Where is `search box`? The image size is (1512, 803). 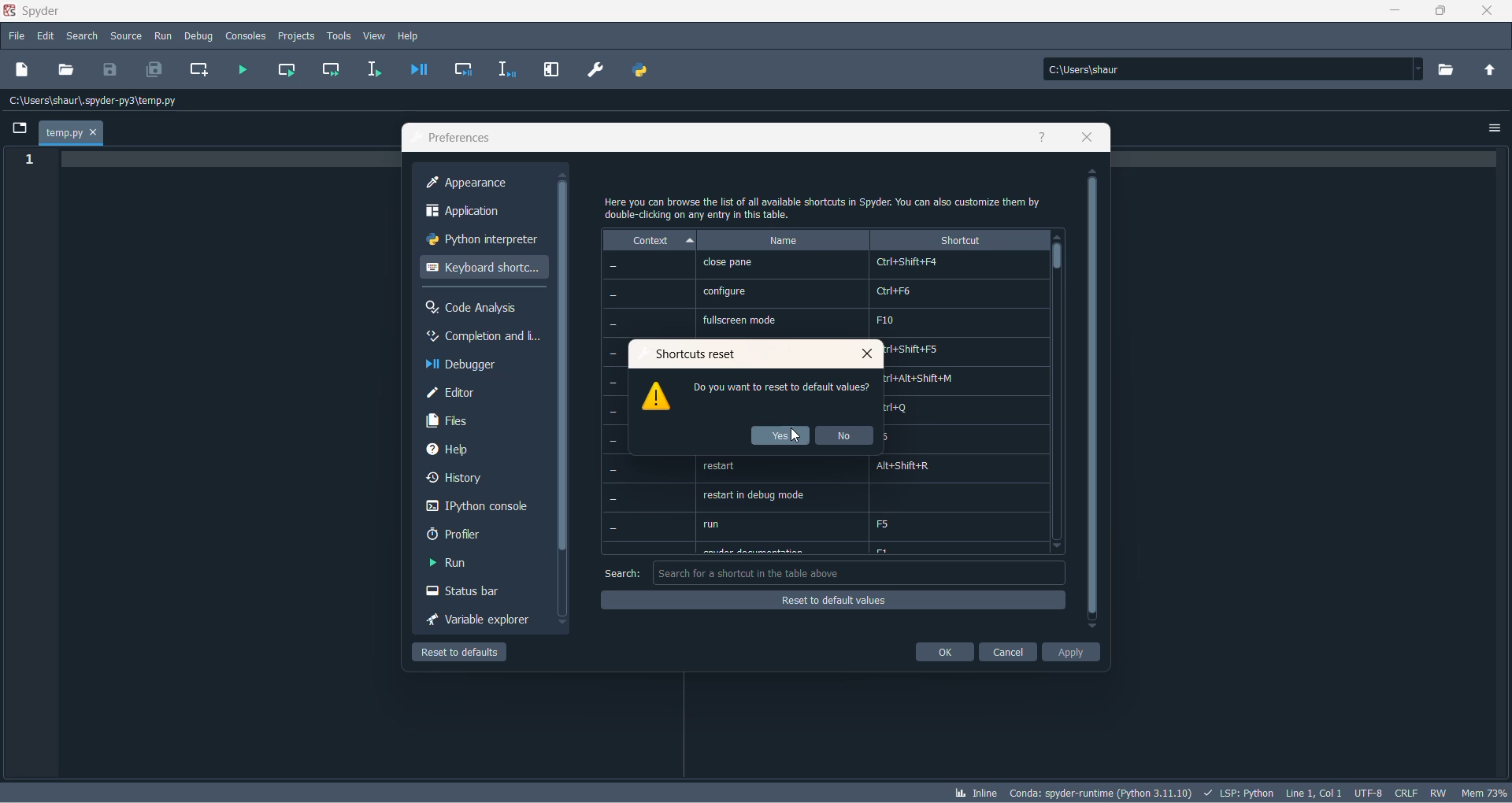
search box is located at coordinates (858, 574).